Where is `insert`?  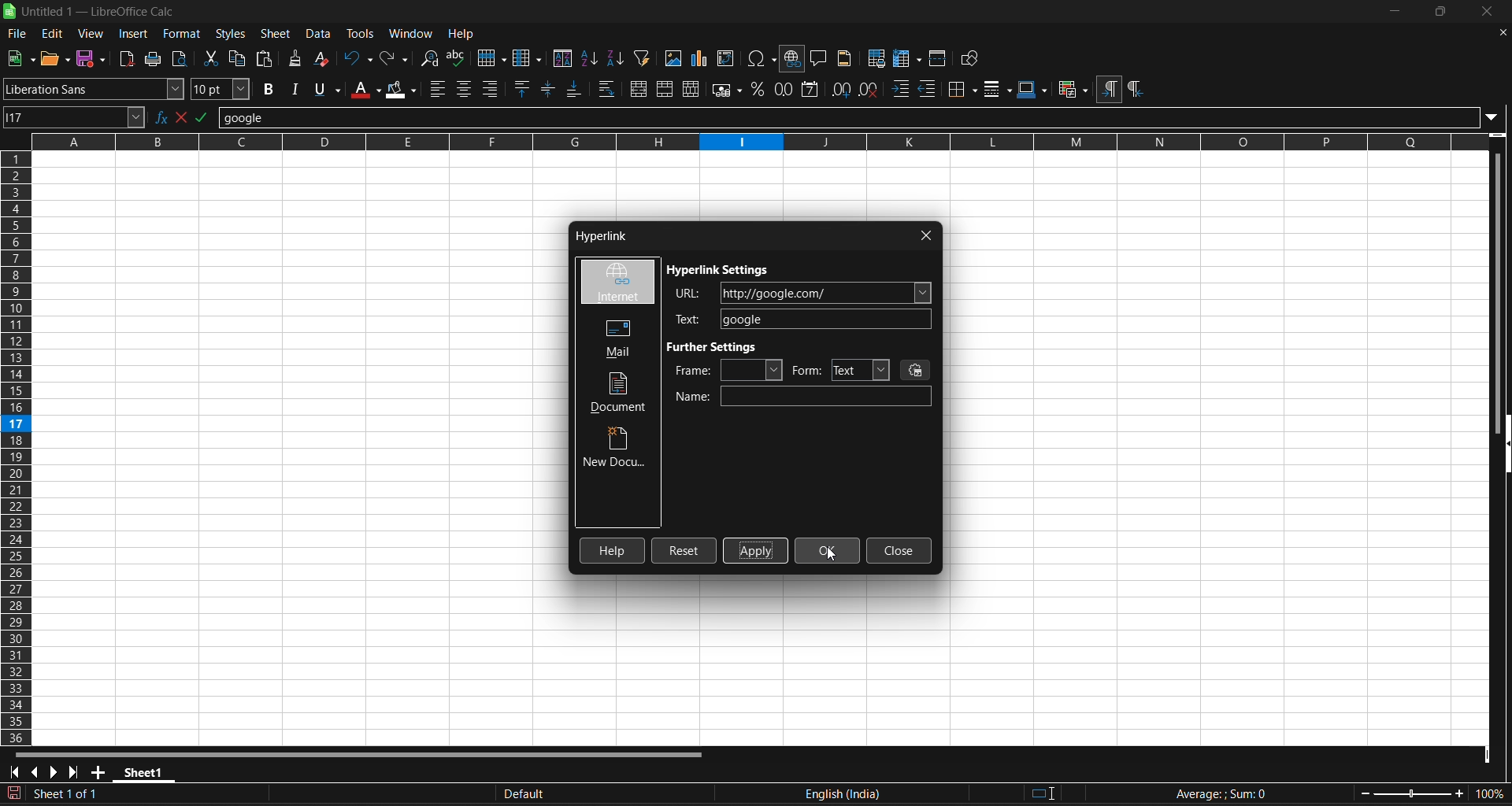 insert is located at coordinates (135, 34).